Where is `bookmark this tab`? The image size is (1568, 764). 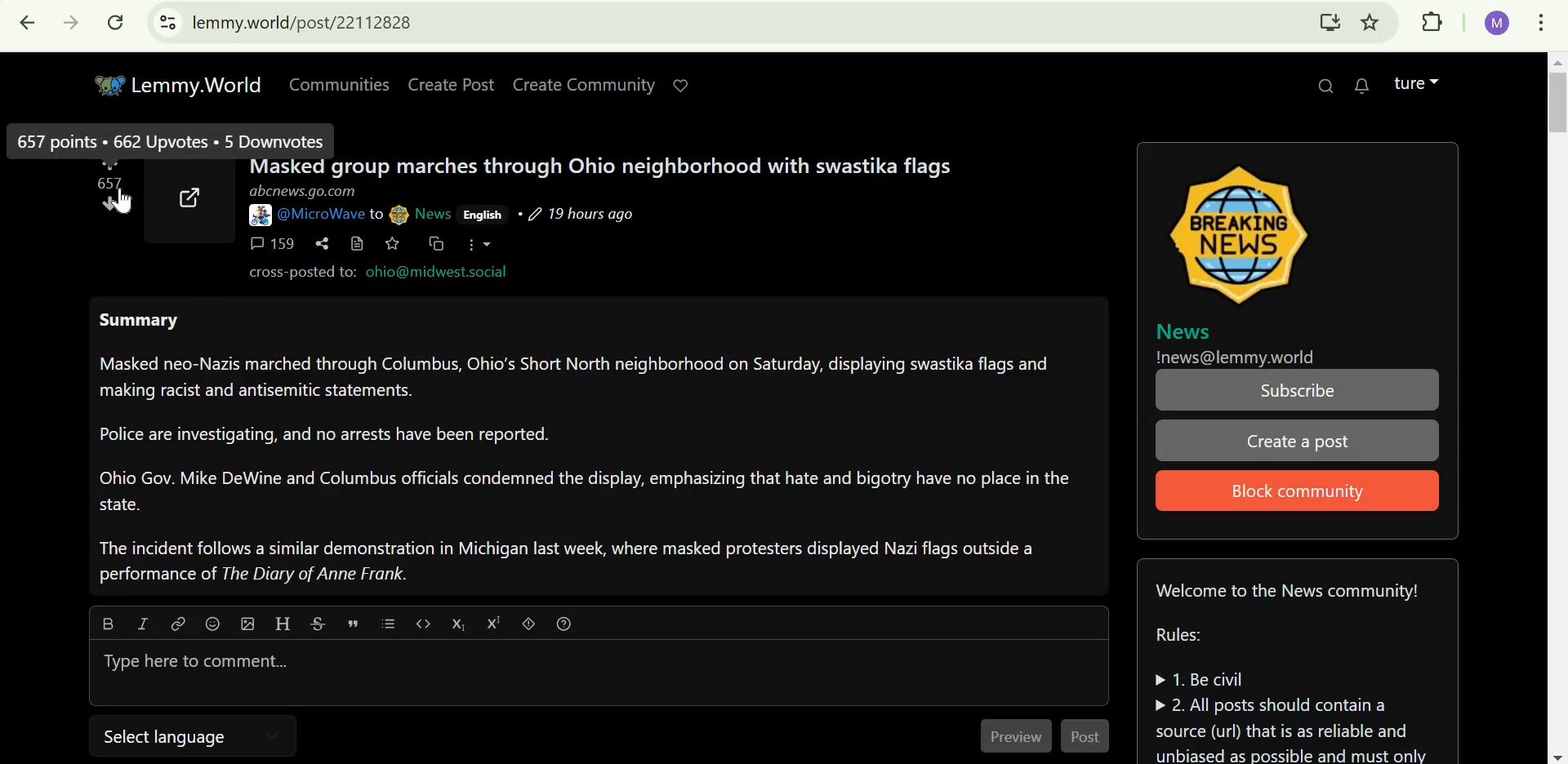
bookmark this tab is located at coordinates (1373, 22).